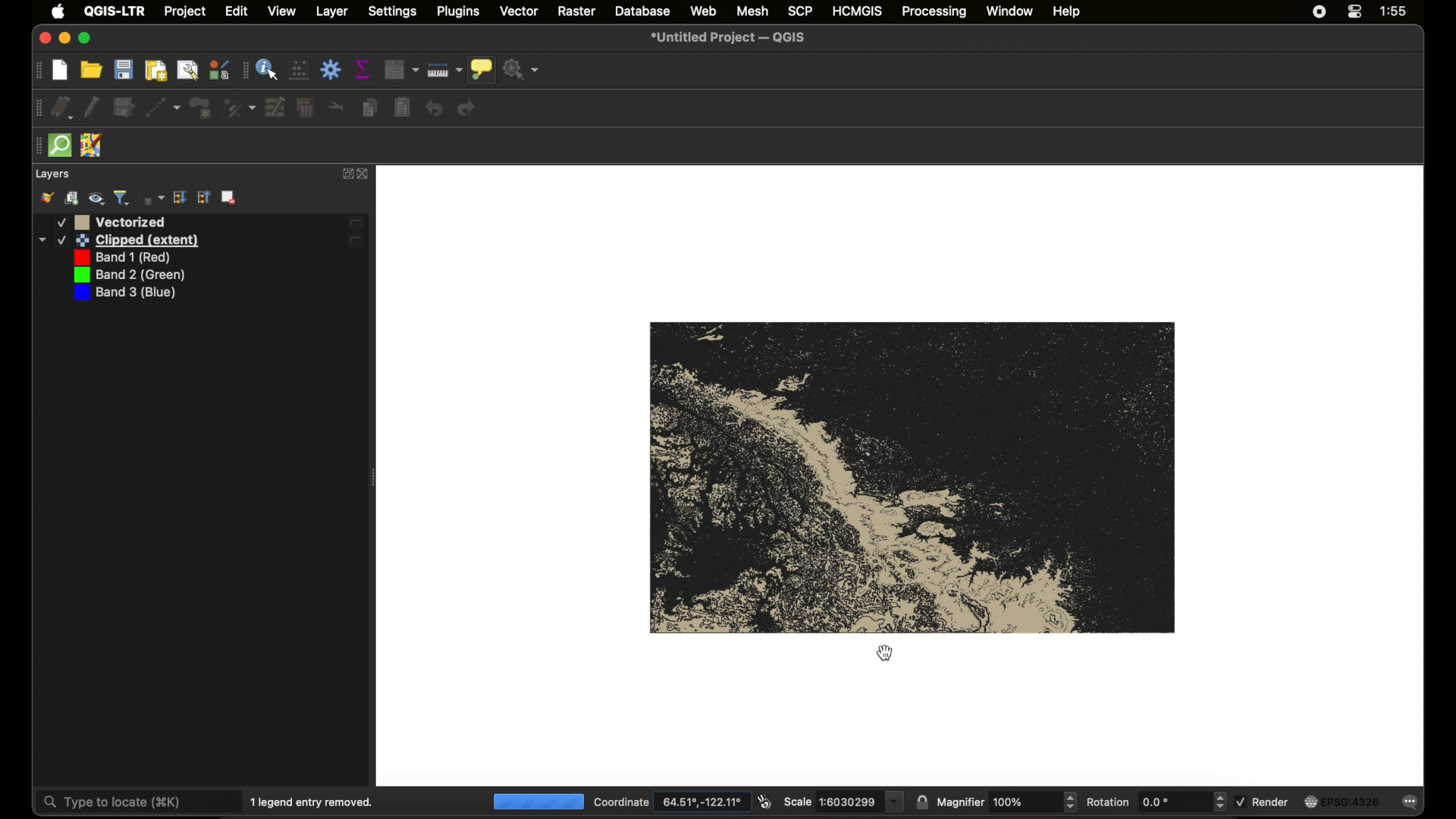 This screenshot has width=1456, height=819. What do you see at coordinates (96, 199) in the screenshot?
I see `manage map theme` at bounding box center [96, 199].